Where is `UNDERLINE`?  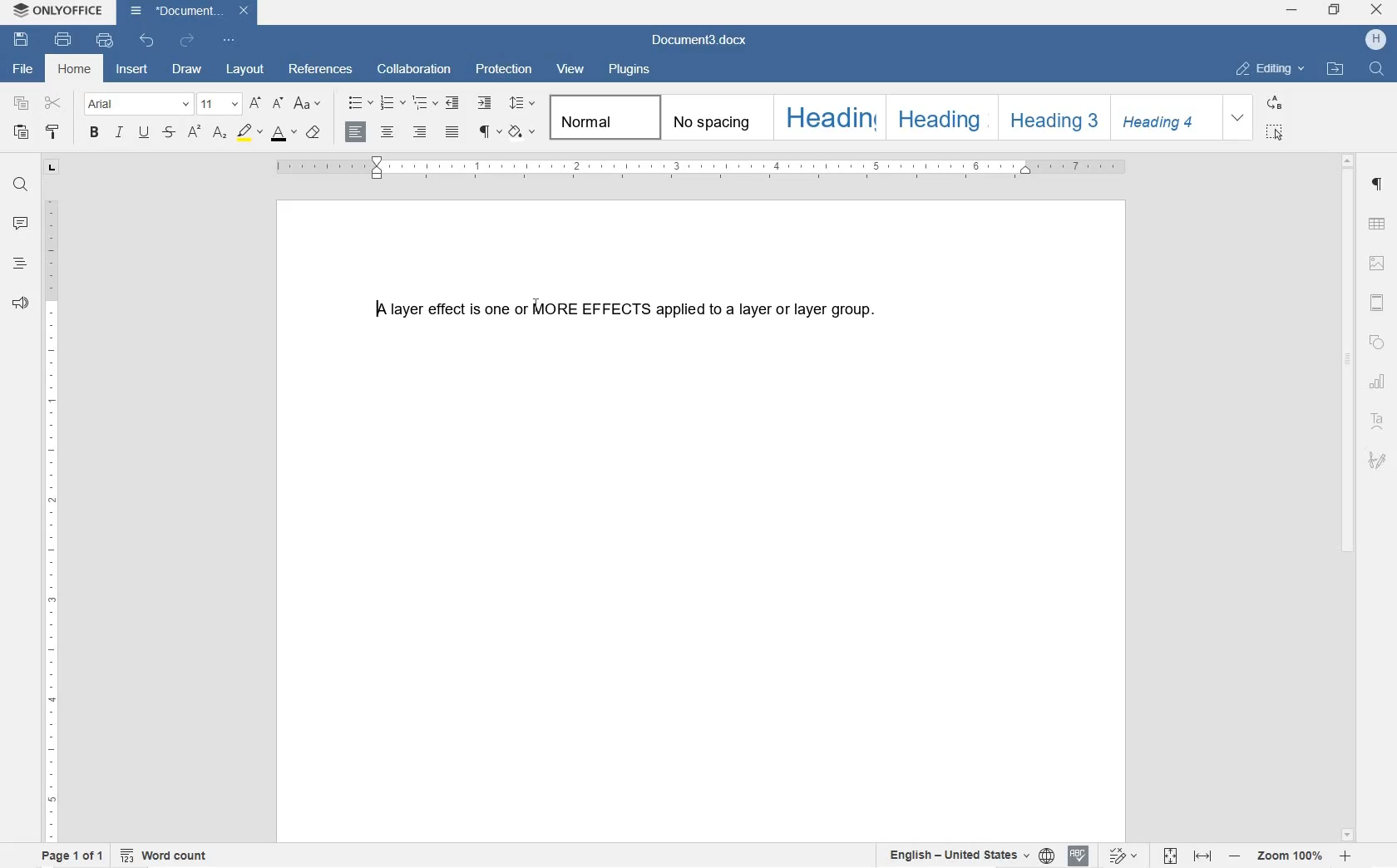
UNDERLINE is located at coordinates (144, 133).